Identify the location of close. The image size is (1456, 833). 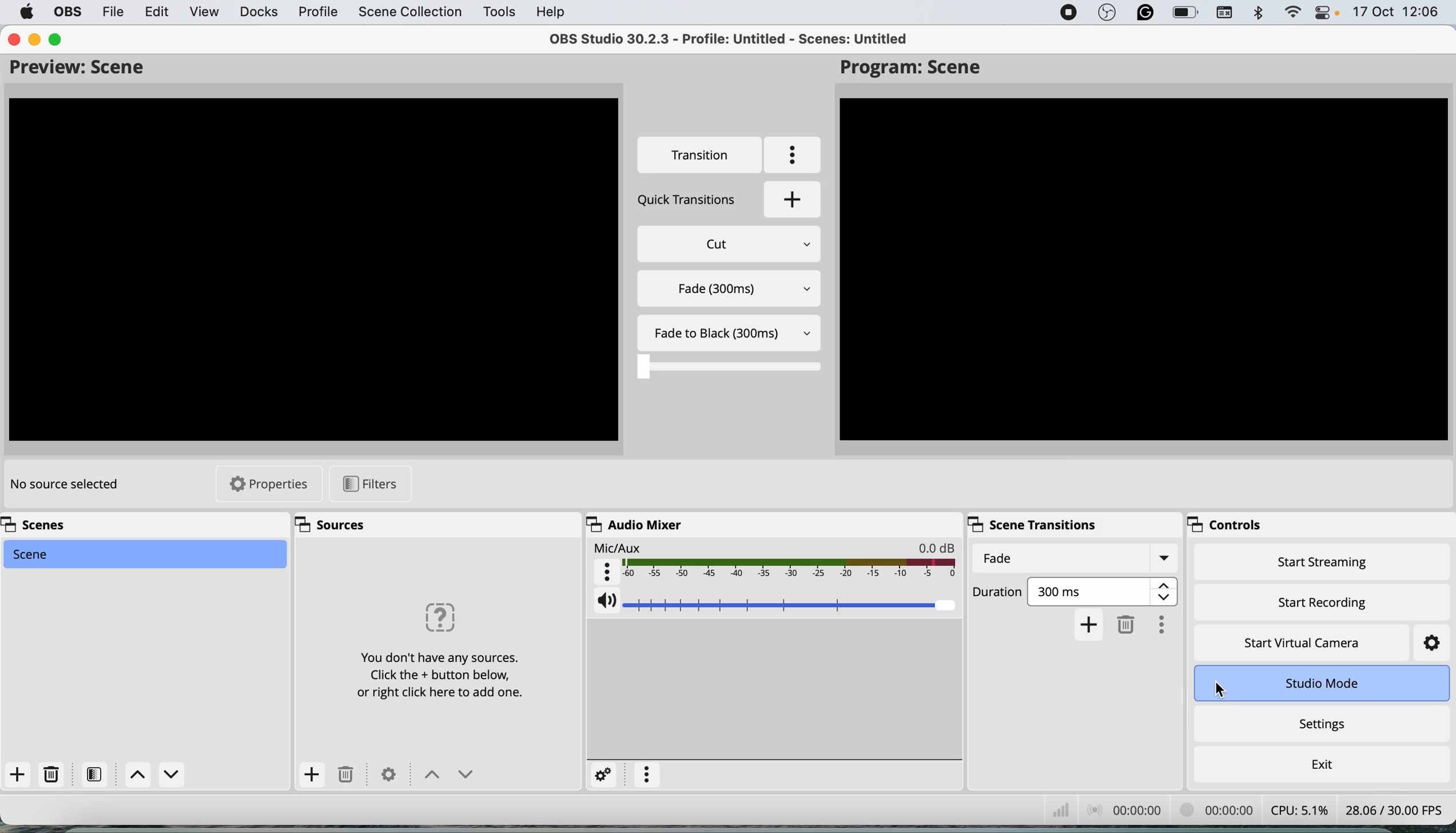
(14, 40).